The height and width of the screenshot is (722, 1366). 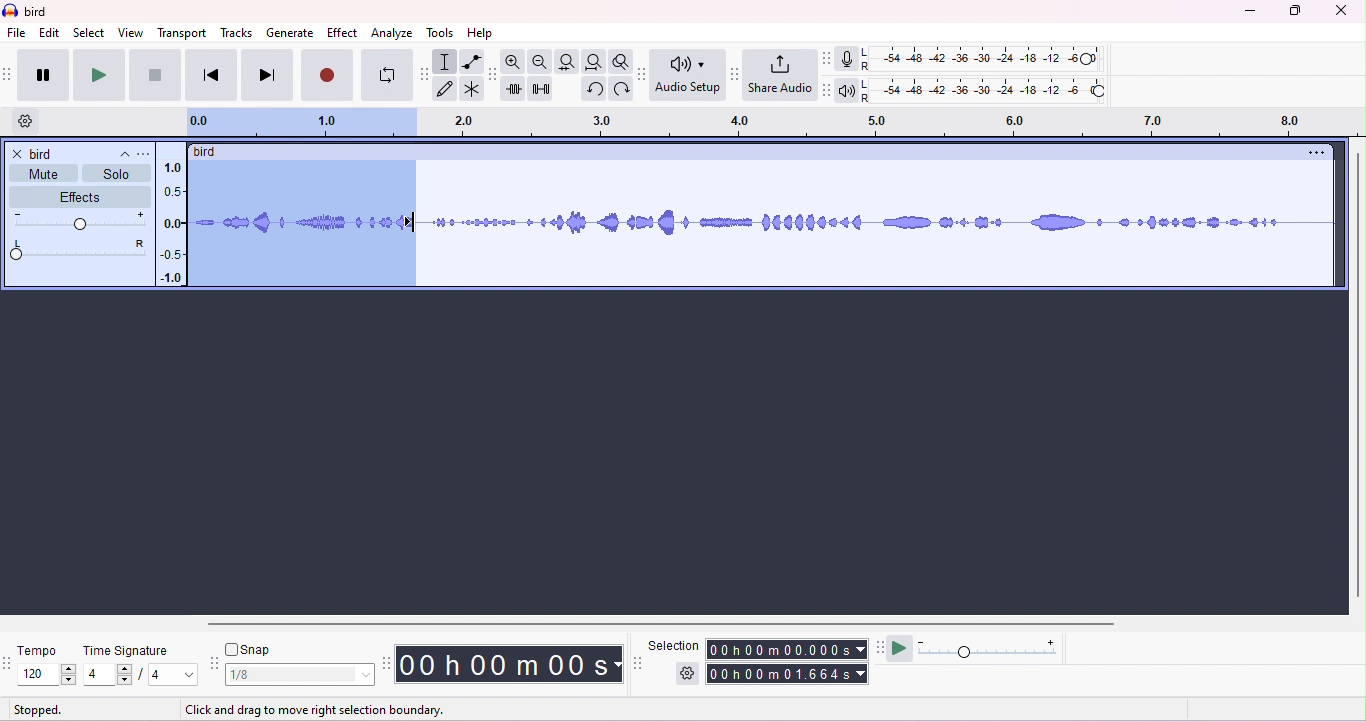 What do you see at coordinates (326, 75) in the screenshot?
I see `record` at bounding box center [326, 75].